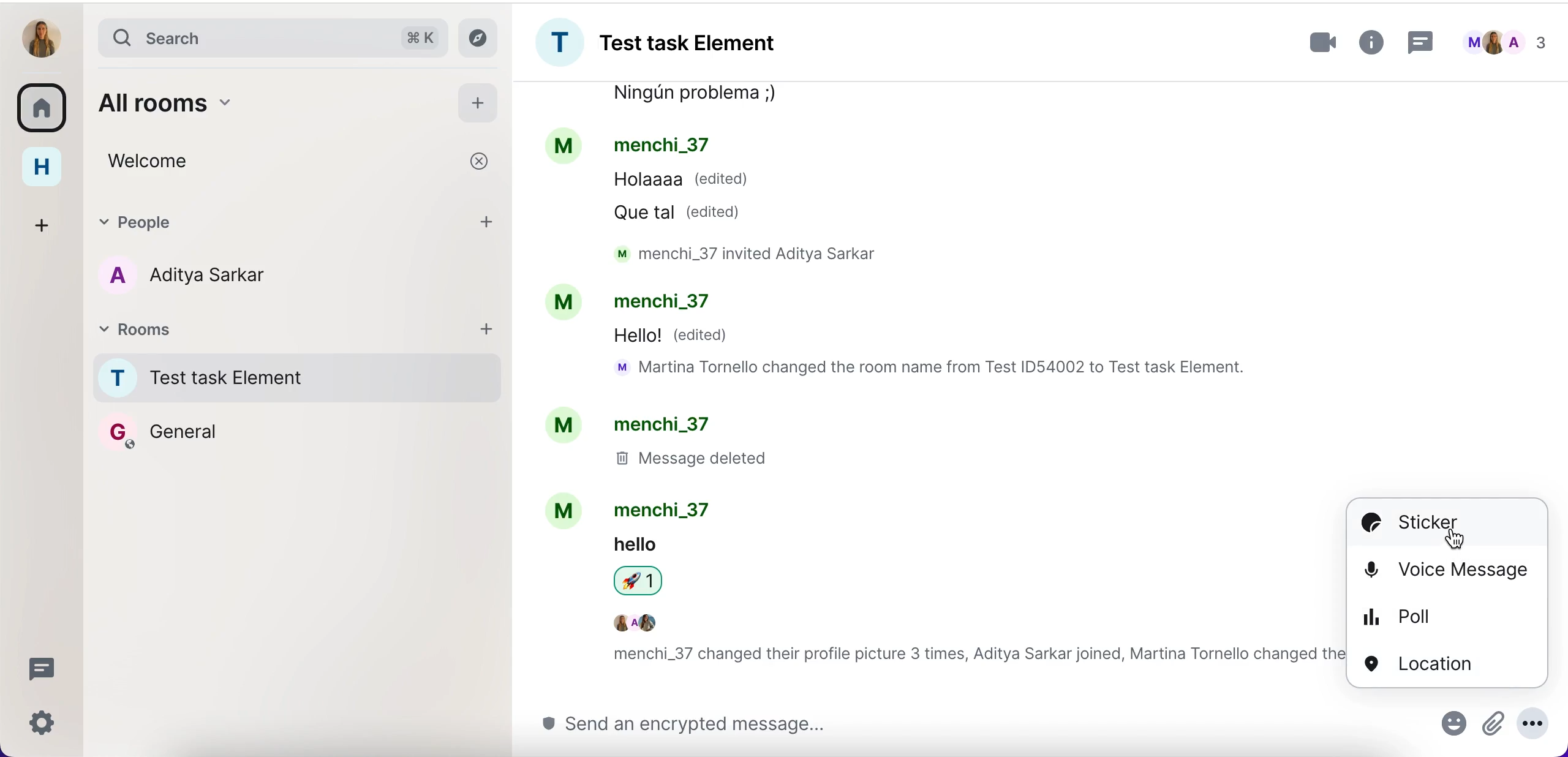 This screenshot has height=757, width=1568. Describe the element at coordinates (1453, 723) in the screenshot. I see `react` at that location.